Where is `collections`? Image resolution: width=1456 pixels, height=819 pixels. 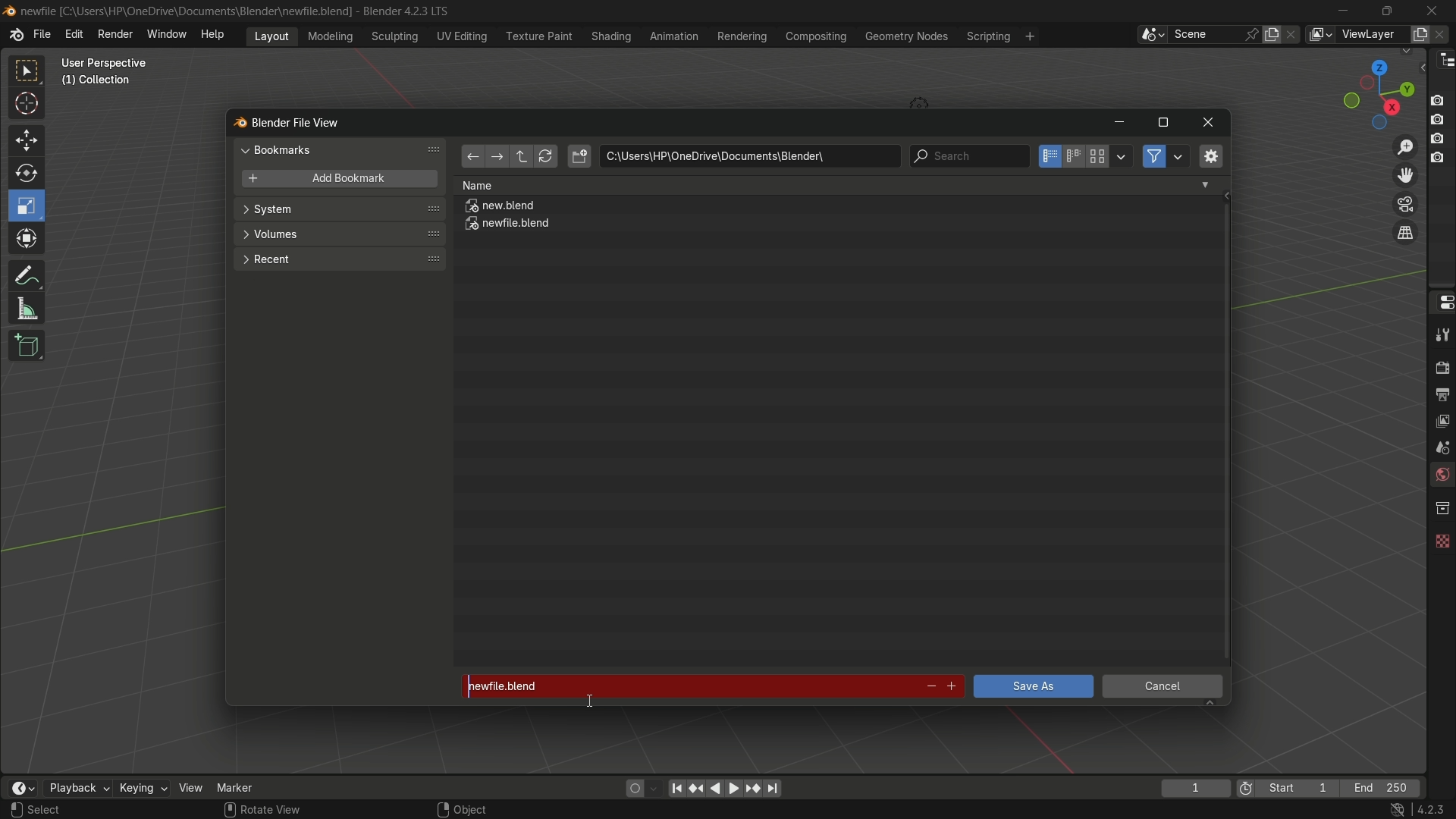
collections is located at coordinates (1442, 508).